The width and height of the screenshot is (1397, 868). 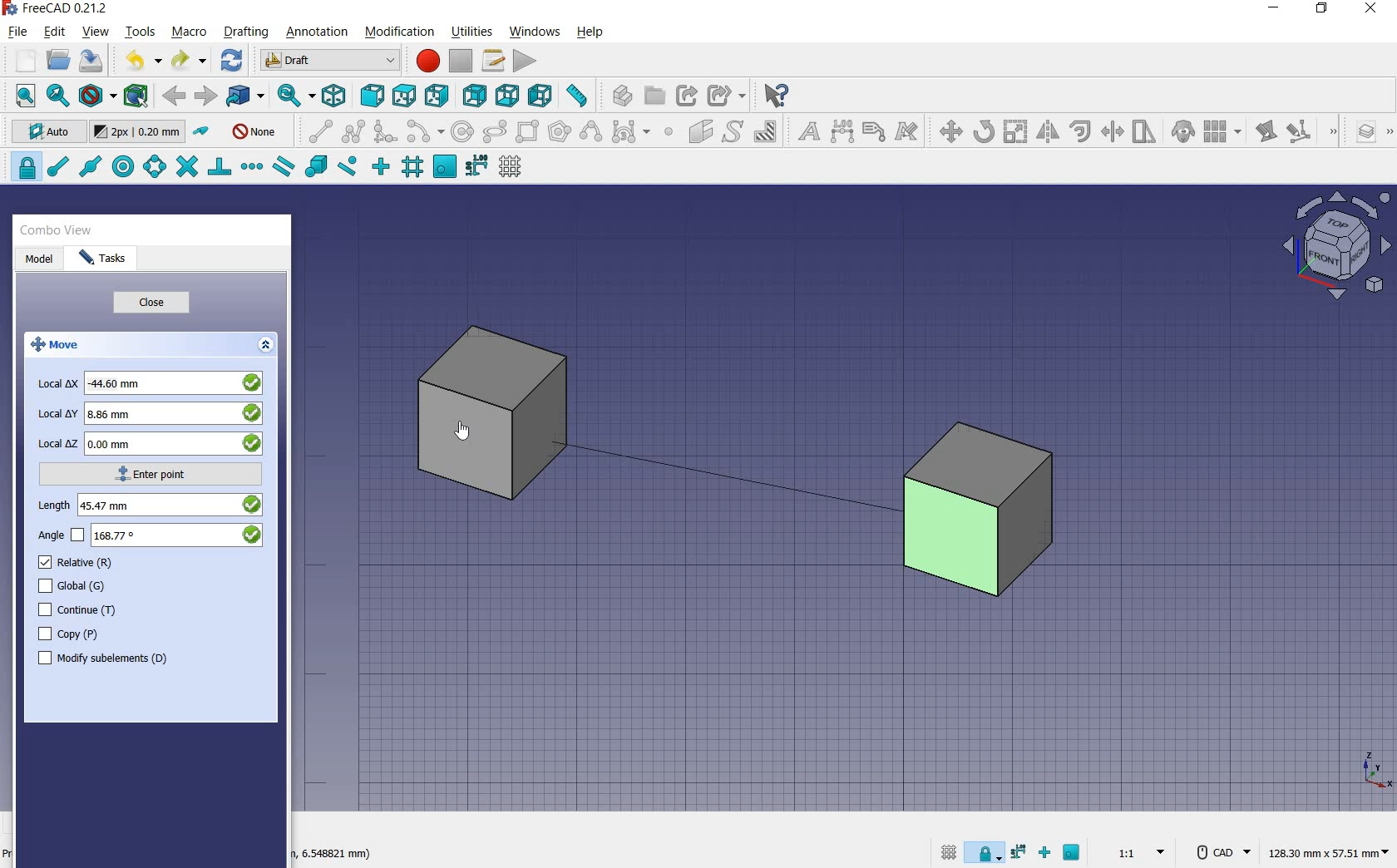 What do you see at coordinates (524, 62) in the screenshot?
I see `execute macro` at bounding box center [524, 62].